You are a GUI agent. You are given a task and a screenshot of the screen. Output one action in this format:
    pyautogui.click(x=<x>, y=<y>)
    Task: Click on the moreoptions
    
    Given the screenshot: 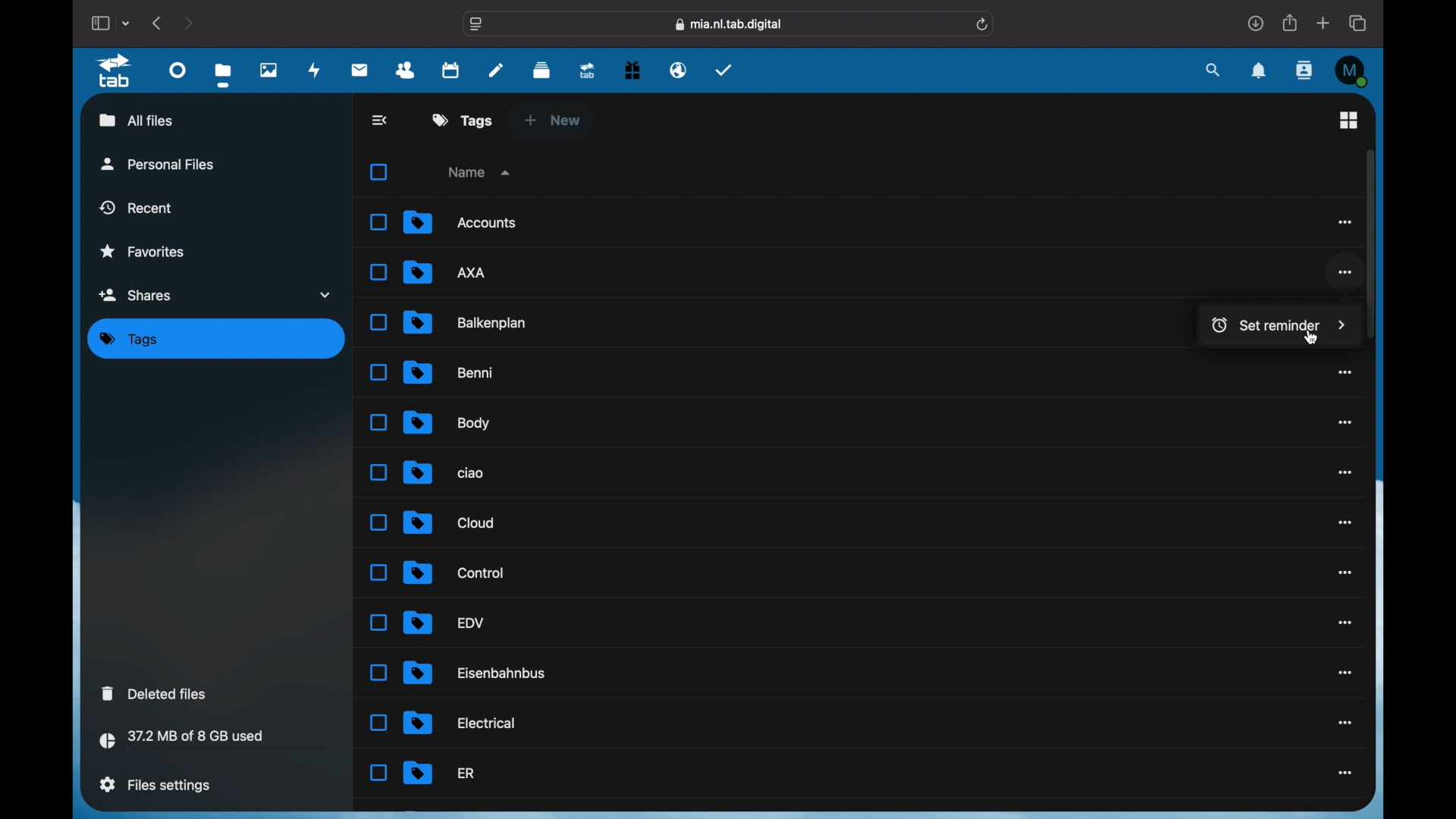 What is the action you would take?
    pyautogui.click(x=1345, y=523)
    